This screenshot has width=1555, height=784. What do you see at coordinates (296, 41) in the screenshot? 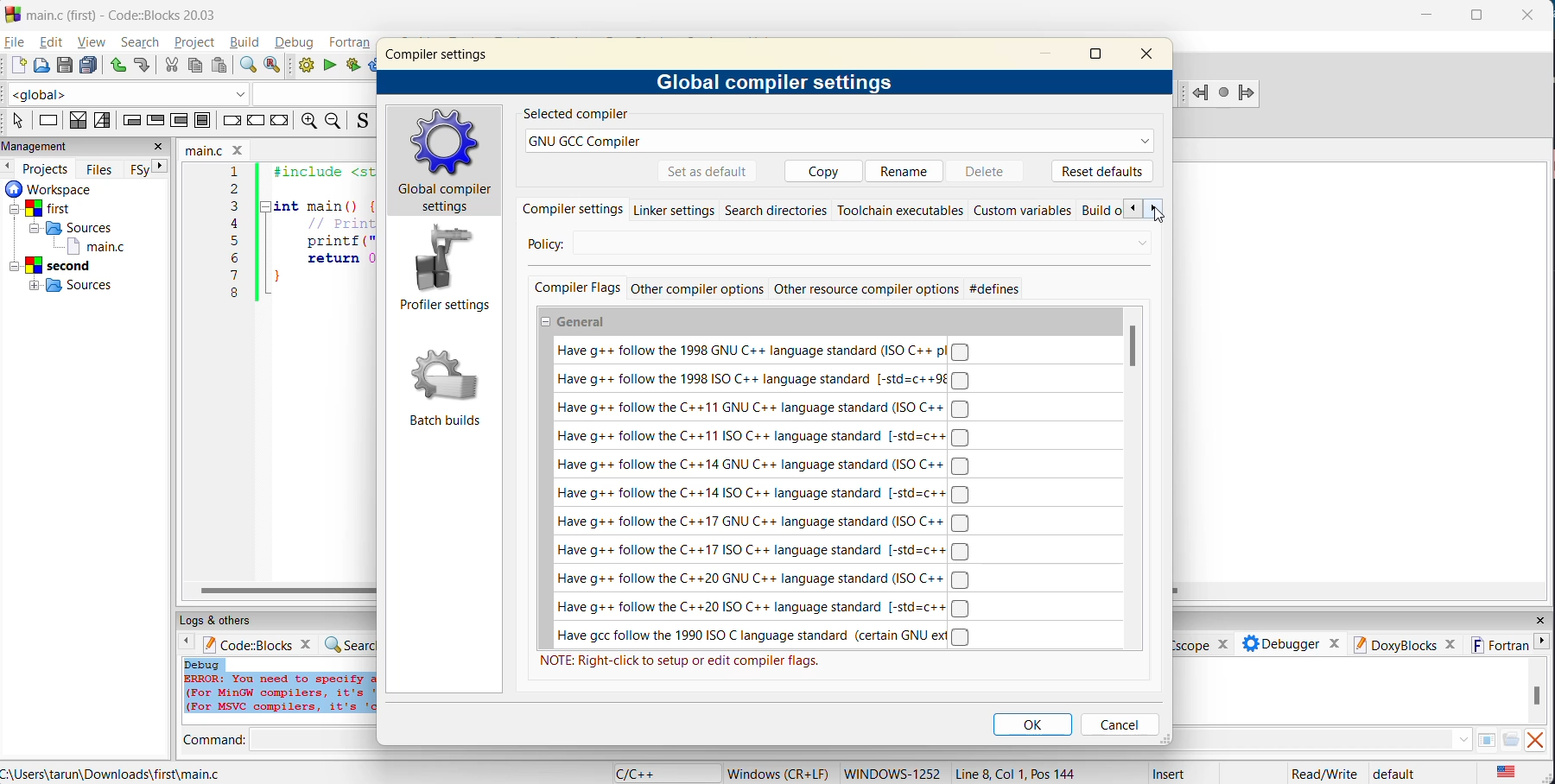
I see `debug` at bounding box center [296, 41].